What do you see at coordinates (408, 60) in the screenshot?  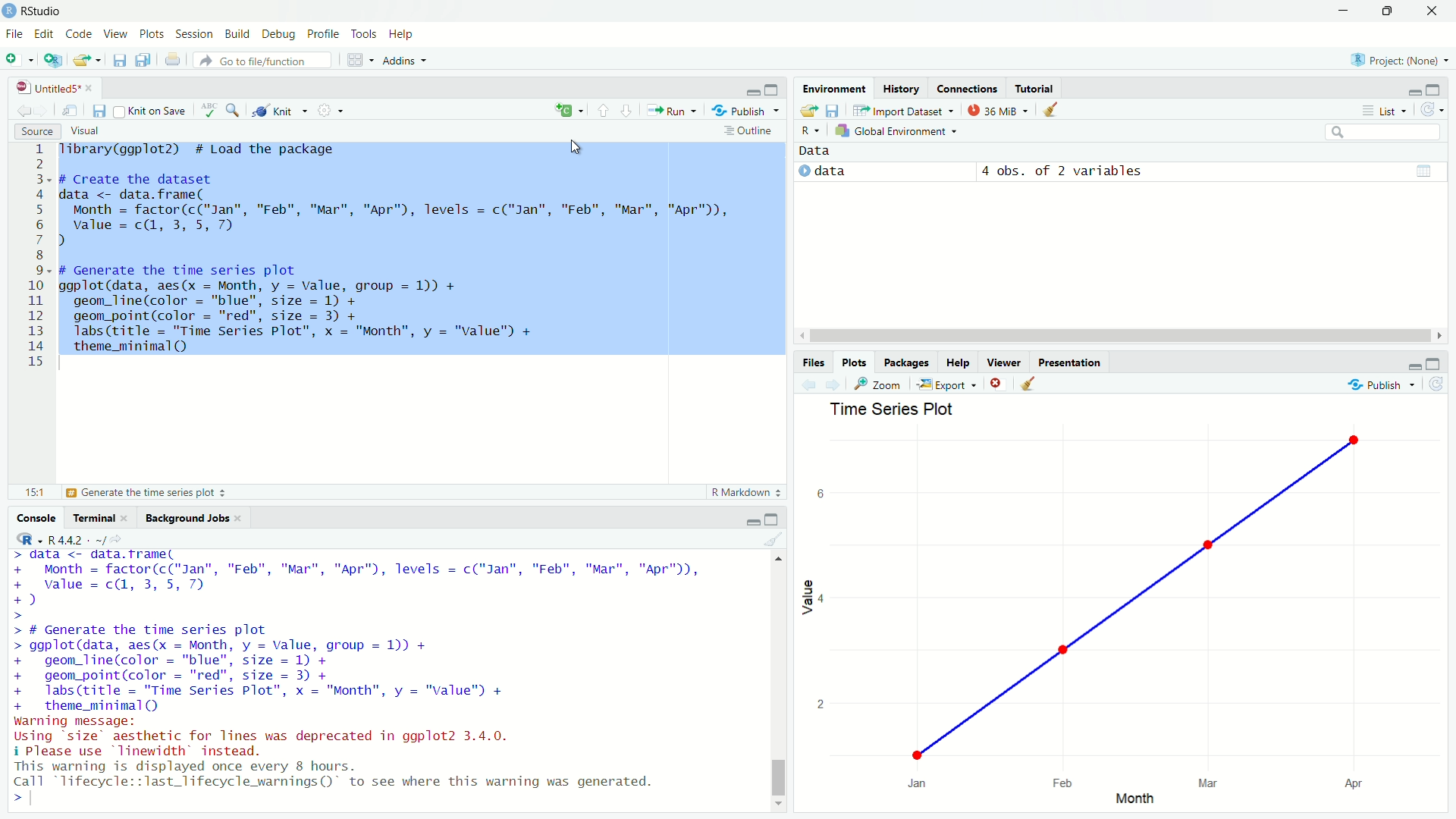 I see `addins` at bounding box center [408, 60].